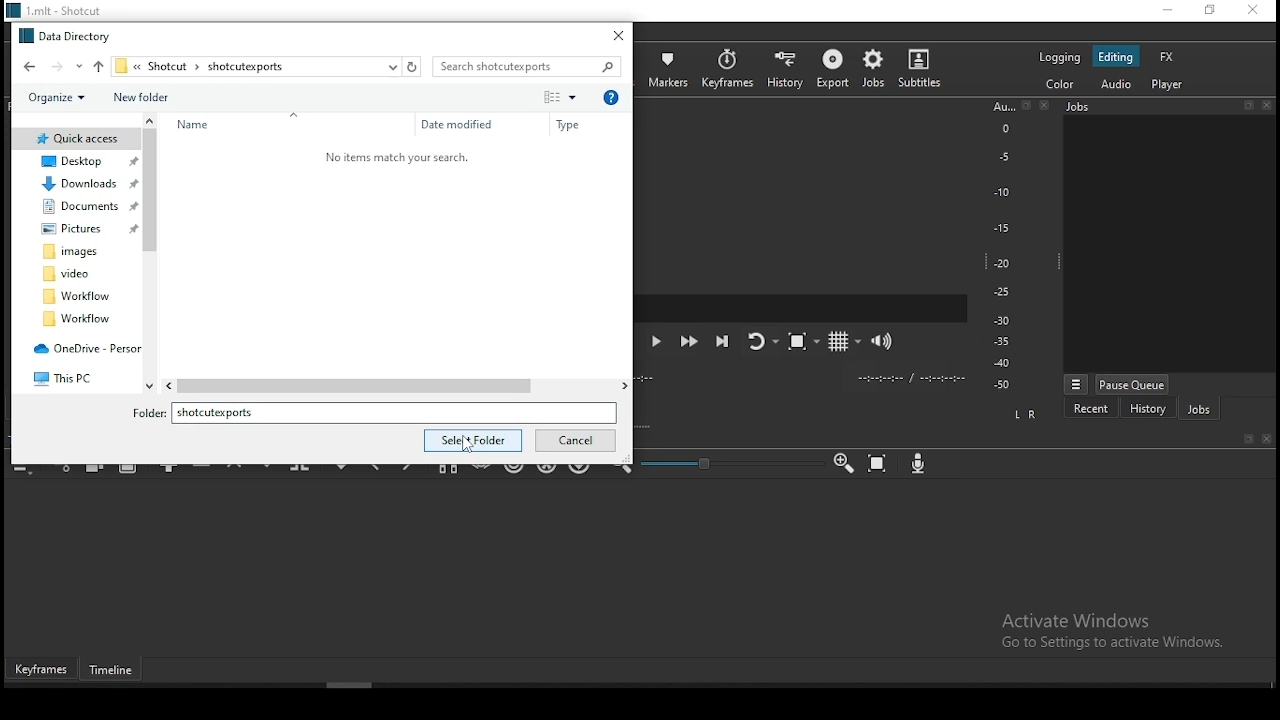  I want to click on player, so click(1166, 85).